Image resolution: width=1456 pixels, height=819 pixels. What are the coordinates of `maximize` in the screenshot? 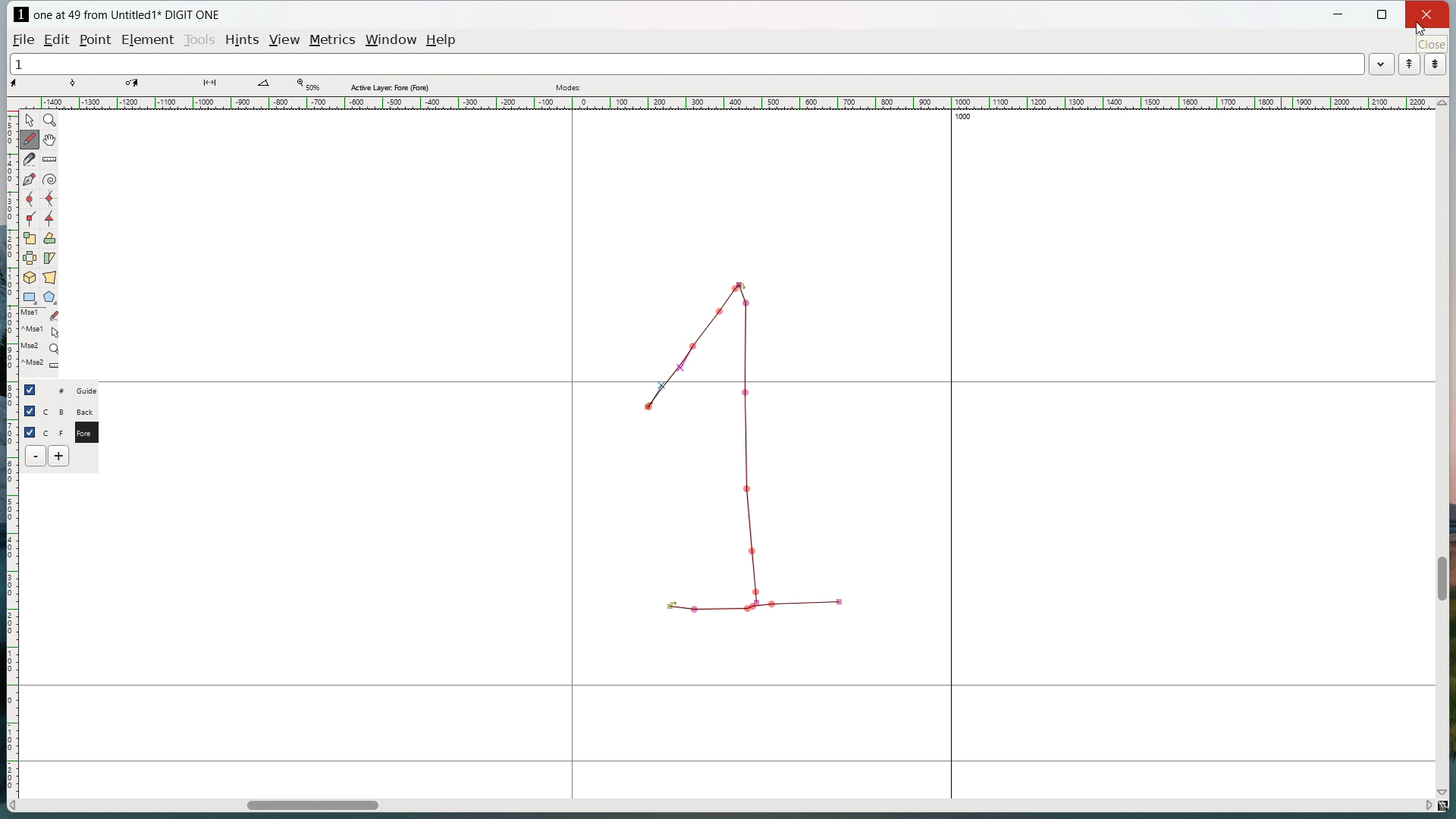 It's located at (1383, 15).